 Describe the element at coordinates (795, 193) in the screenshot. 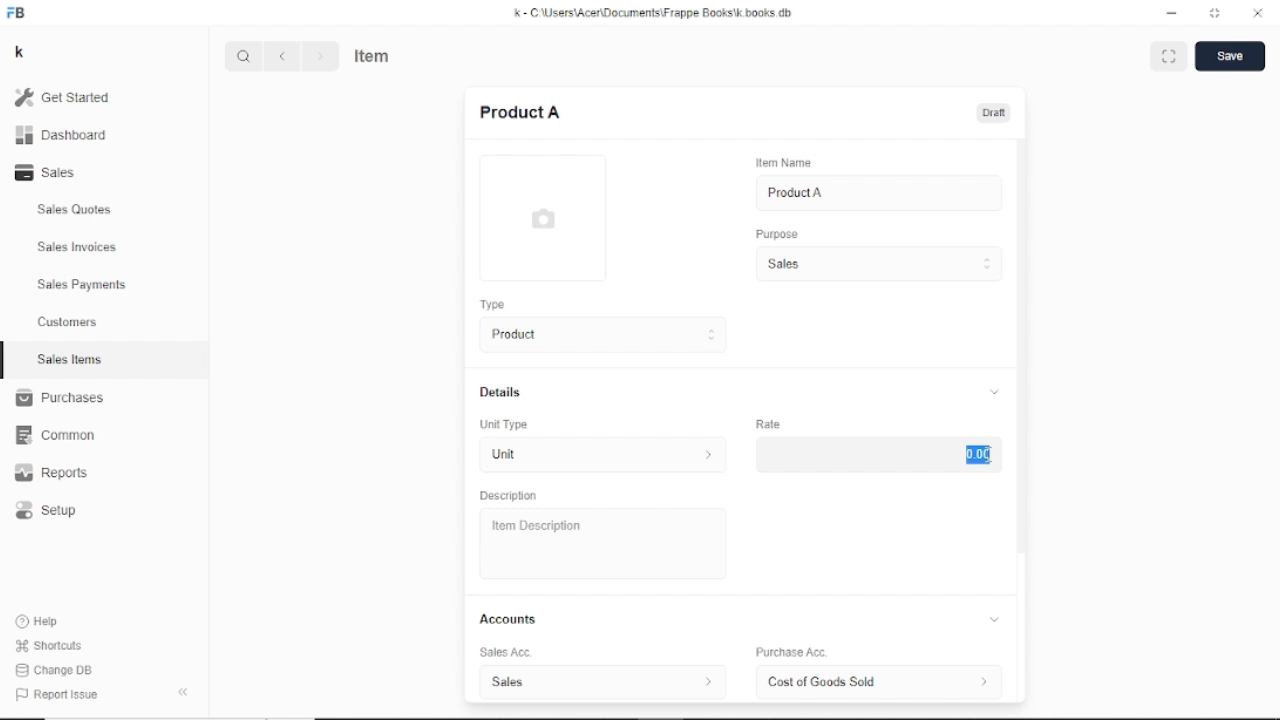

I see `Product A` at that location.